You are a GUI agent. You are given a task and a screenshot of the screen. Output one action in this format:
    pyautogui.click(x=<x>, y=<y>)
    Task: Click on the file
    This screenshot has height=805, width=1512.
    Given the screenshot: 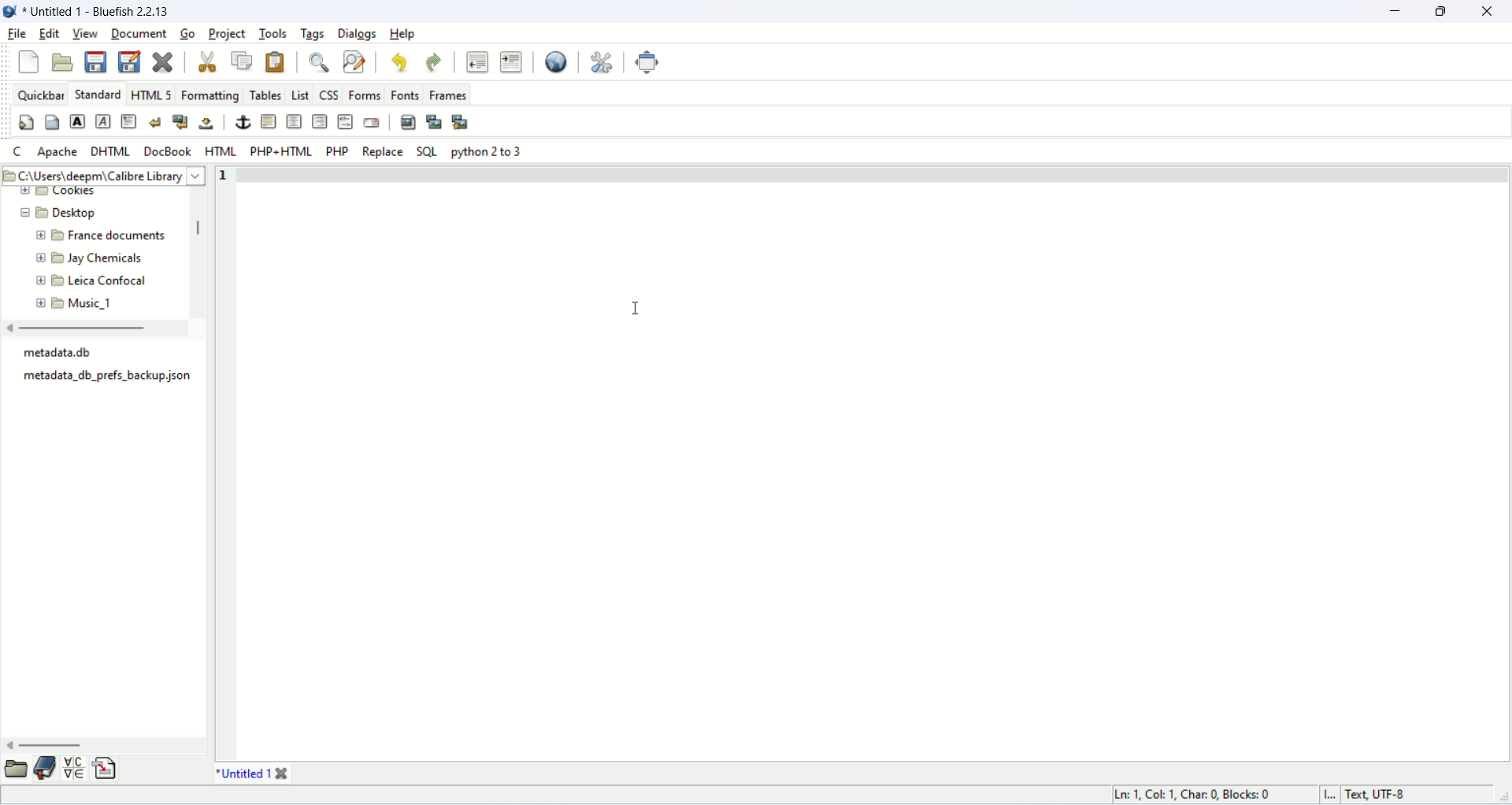 What is the action you would take?
    pyautogui.click(x=16, y=33)
    